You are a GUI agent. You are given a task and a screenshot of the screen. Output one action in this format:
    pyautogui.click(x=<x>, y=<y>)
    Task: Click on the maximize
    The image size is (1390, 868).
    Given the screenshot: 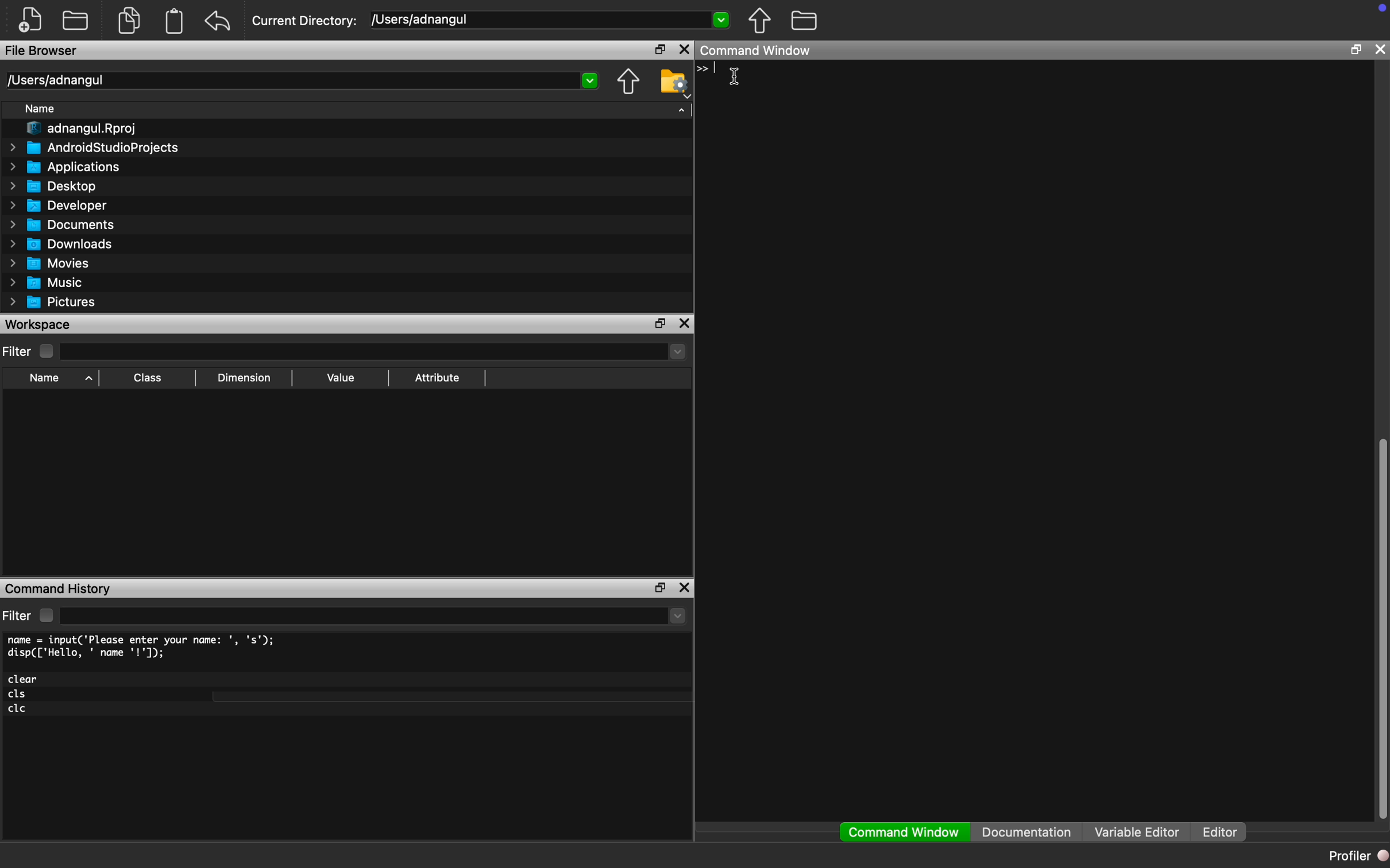 What is the action you would take?
    pyautogui.click(x=658, y=588)
    